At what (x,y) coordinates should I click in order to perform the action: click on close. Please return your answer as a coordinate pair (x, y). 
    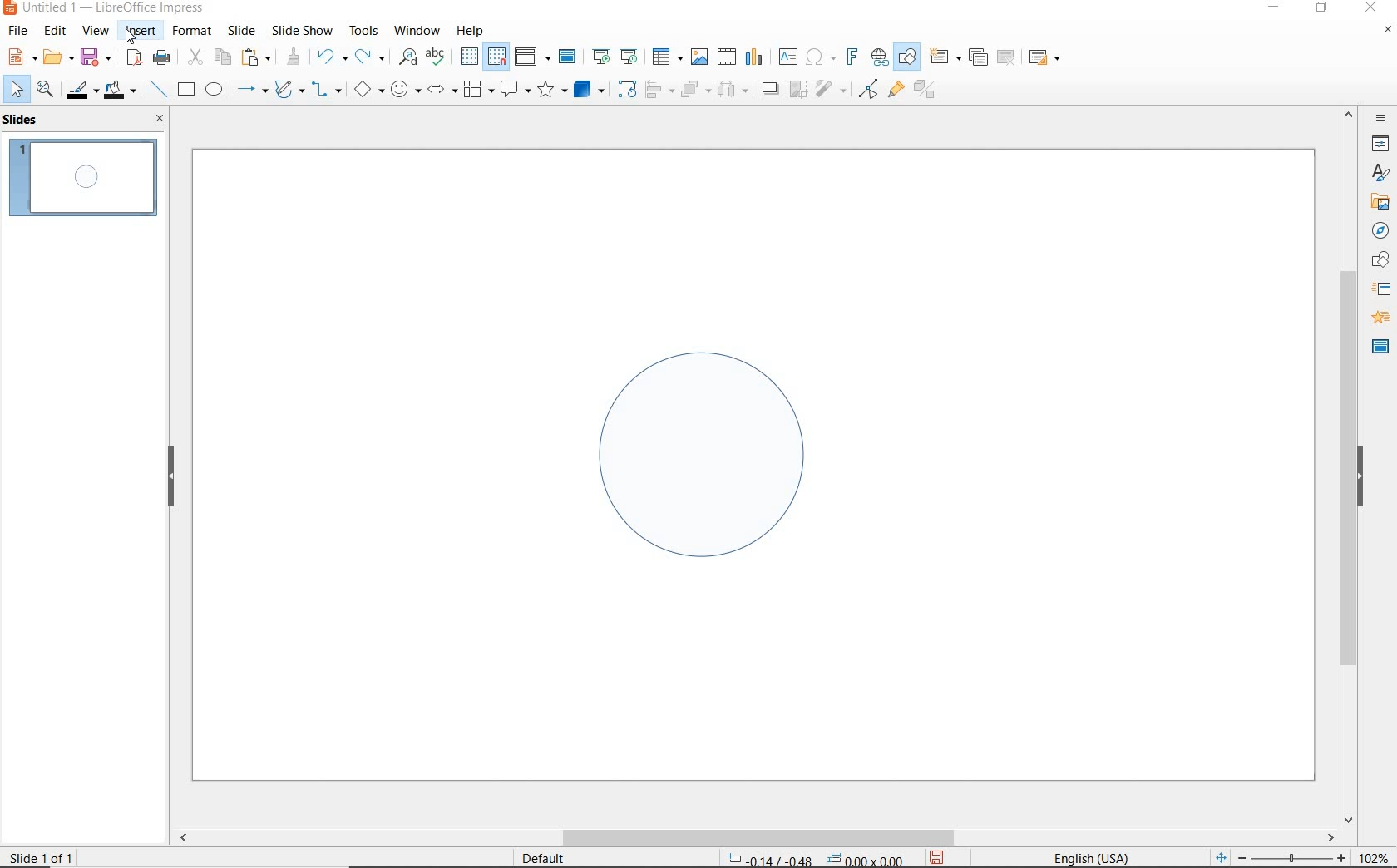
    Looking at the image, I should click on (1370, 8).